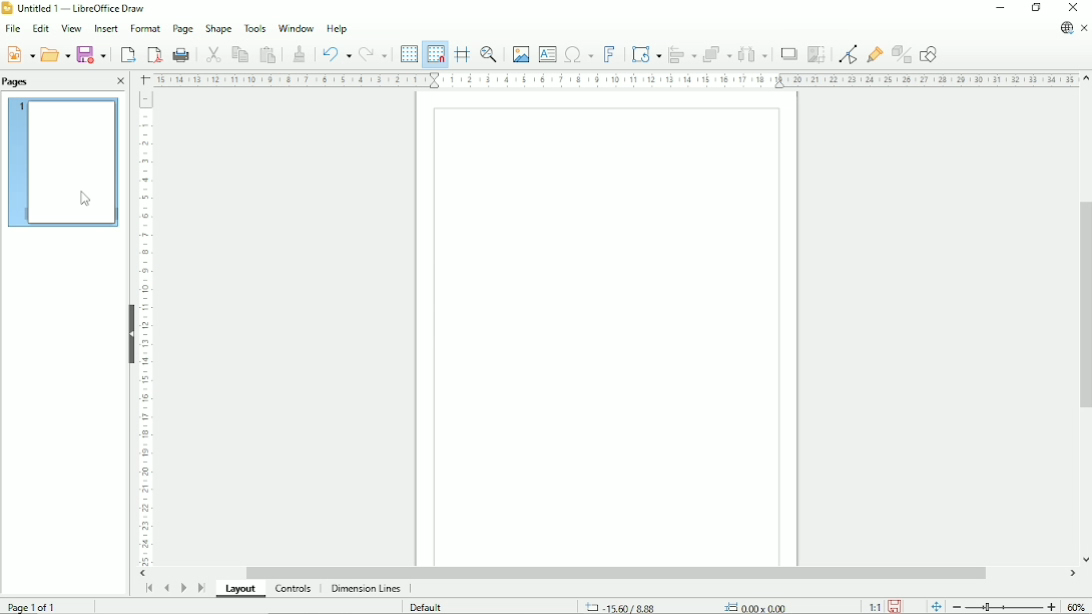  Describe the element at coordinates (154, 55) in the screenshot. I see `Export directly as PDF` at that location.